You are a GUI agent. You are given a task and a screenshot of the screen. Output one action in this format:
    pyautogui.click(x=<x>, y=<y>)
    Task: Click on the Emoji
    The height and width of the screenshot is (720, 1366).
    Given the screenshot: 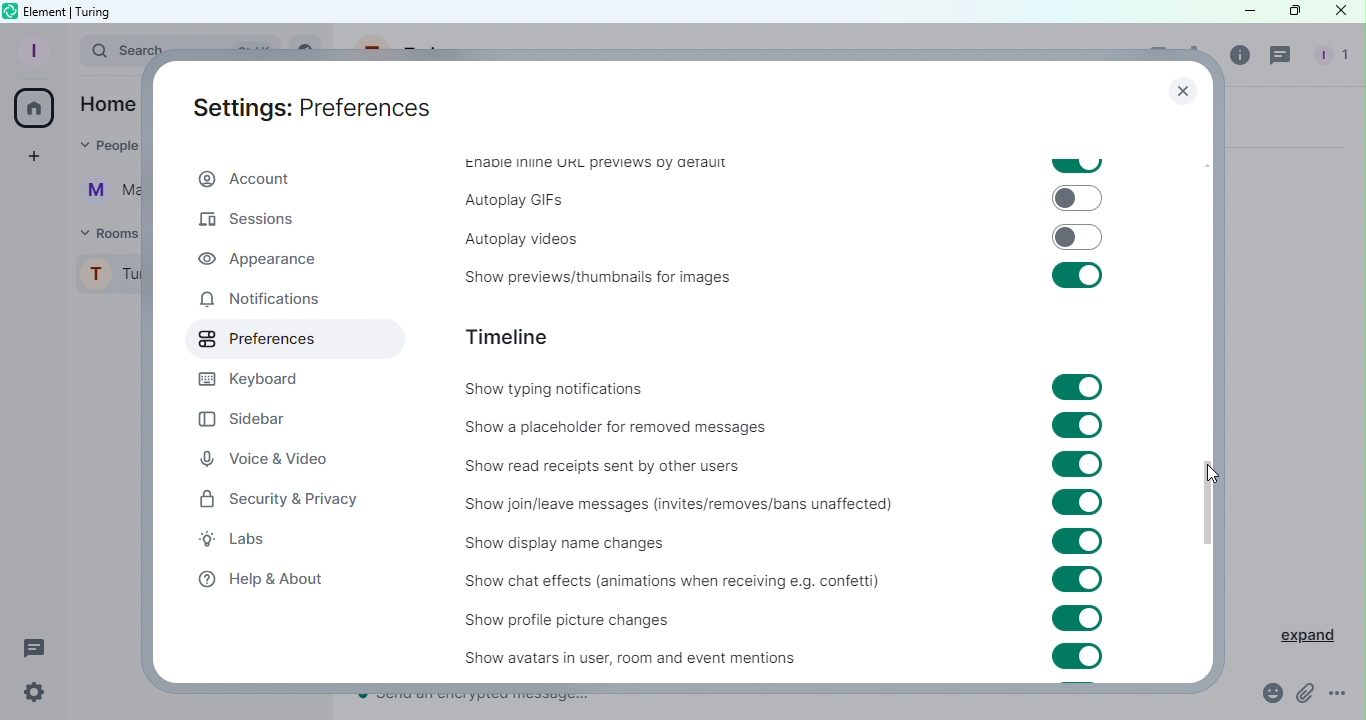 What is the action you would take?
    pyautogui.click(x=1265, y=694)
    